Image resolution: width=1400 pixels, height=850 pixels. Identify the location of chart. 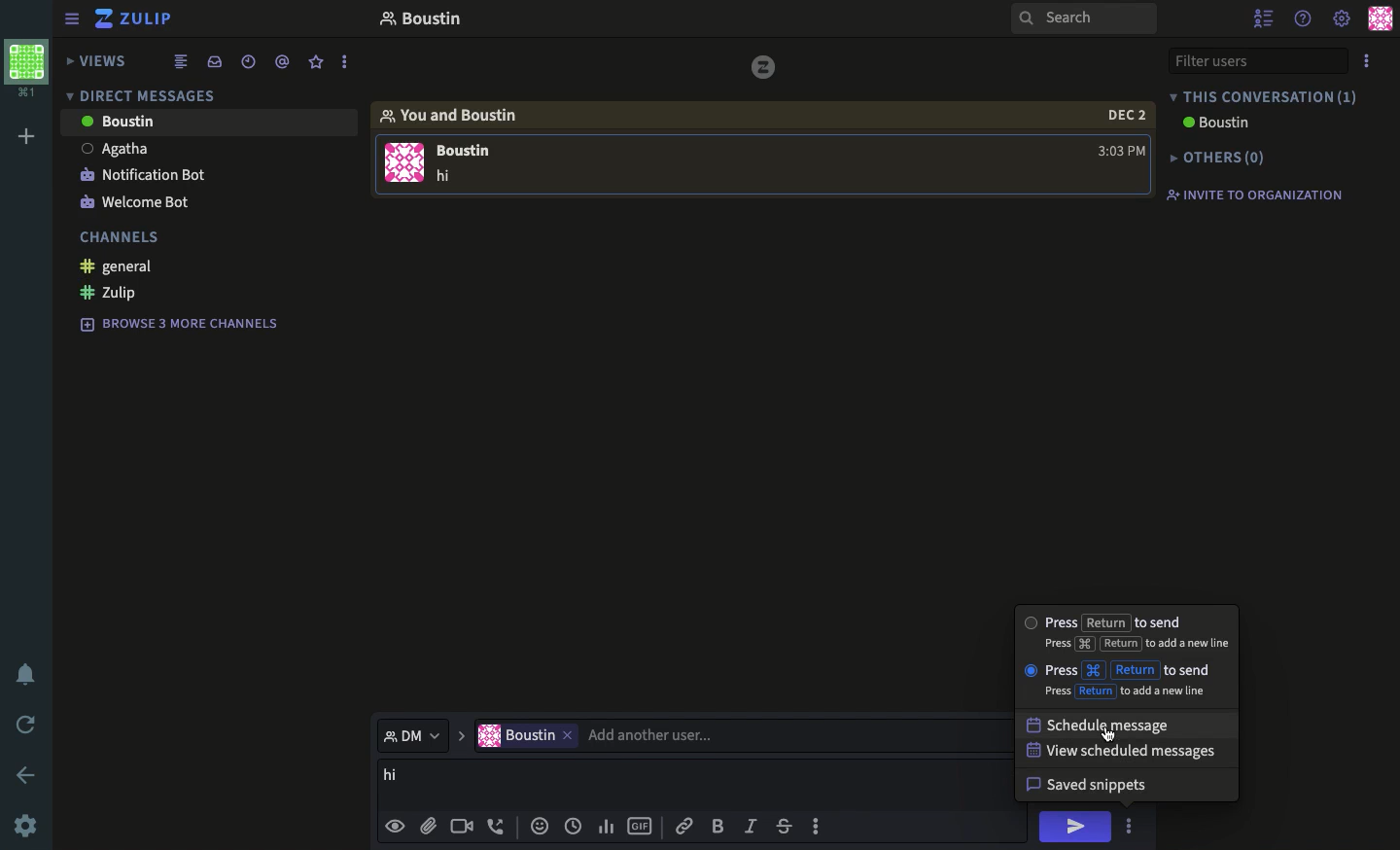
(606, 825).